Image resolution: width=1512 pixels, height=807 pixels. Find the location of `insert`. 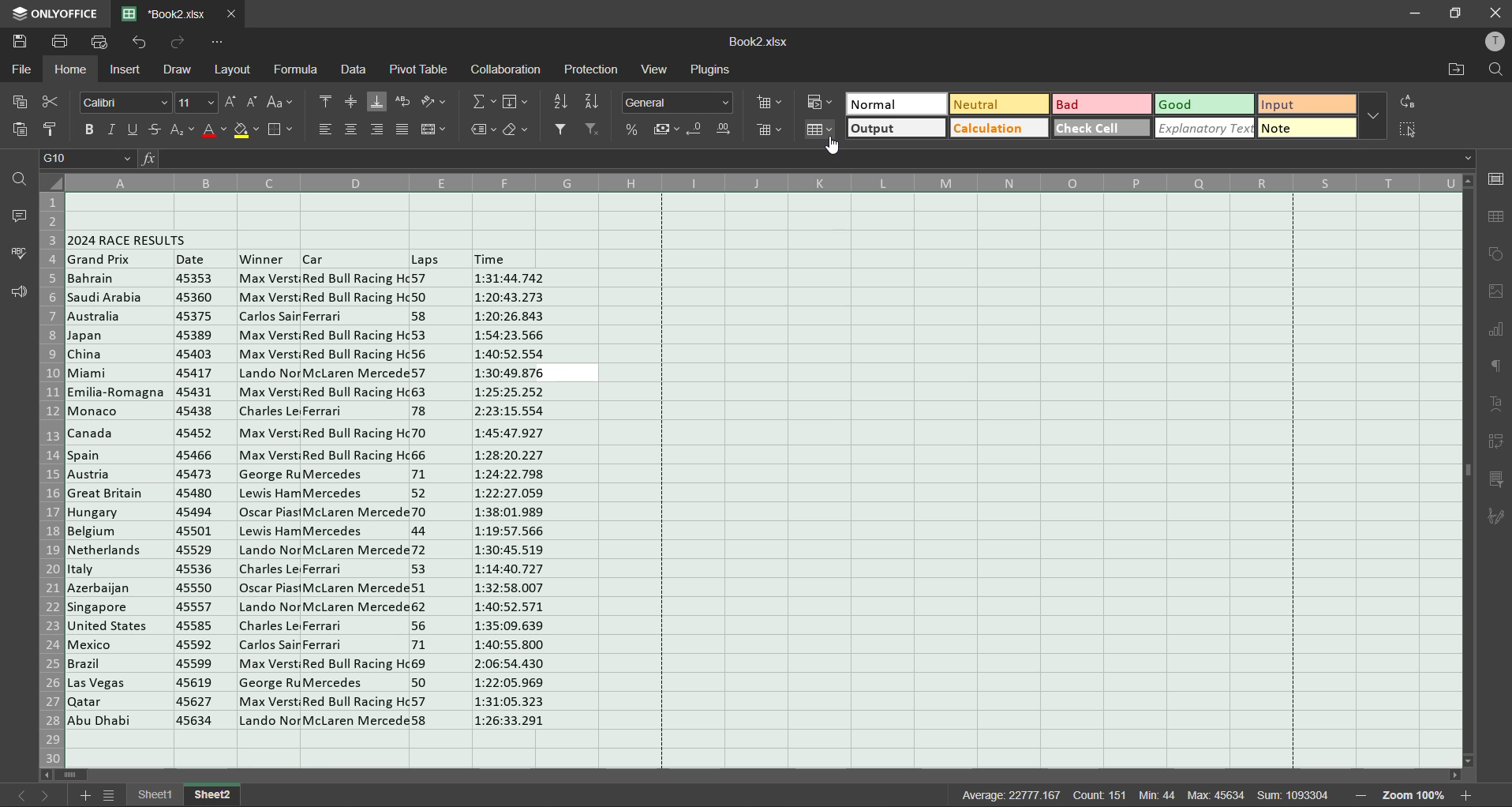

insert is located at coordinates (129, 70).